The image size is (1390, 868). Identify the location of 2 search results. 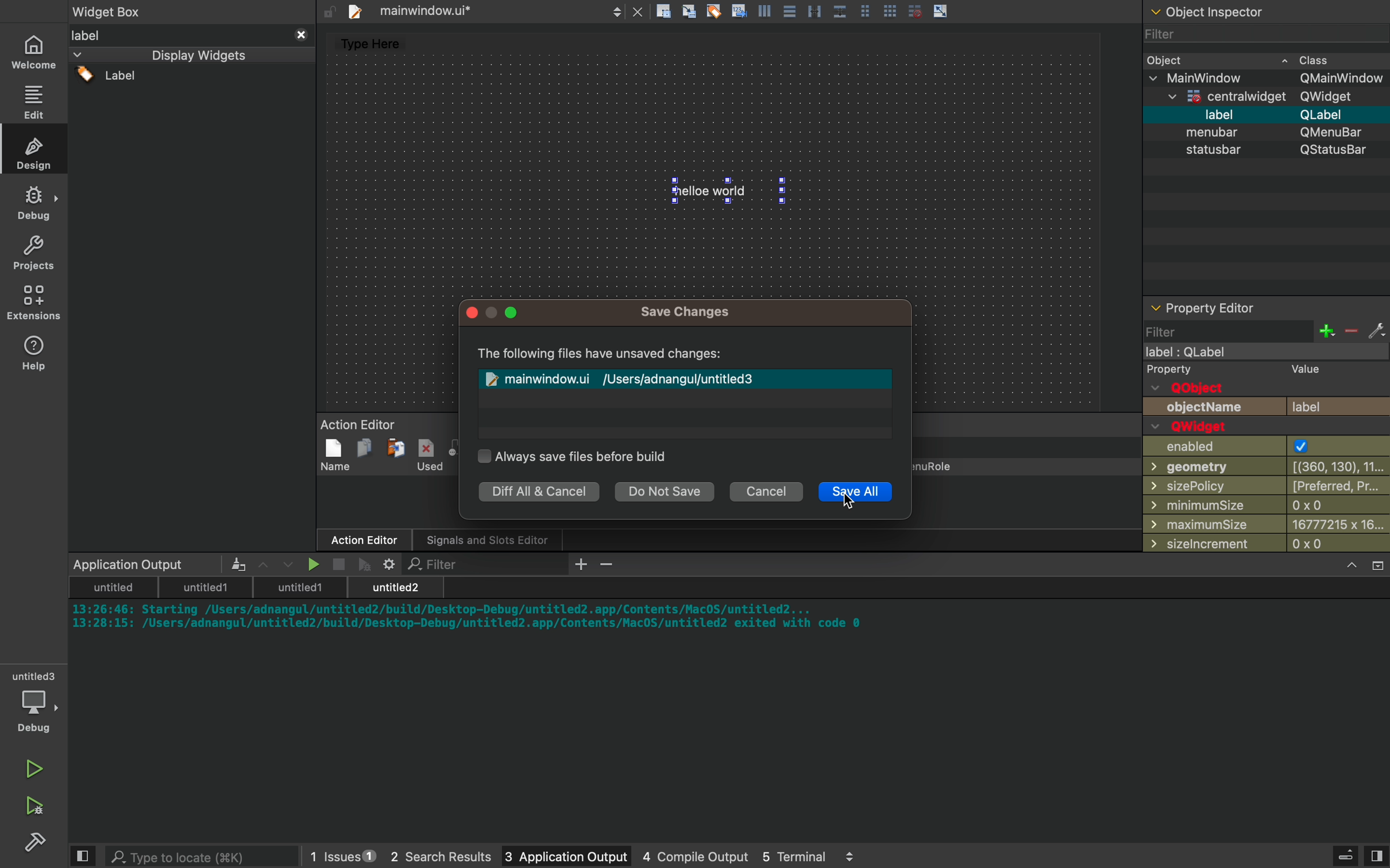
(428, 857).